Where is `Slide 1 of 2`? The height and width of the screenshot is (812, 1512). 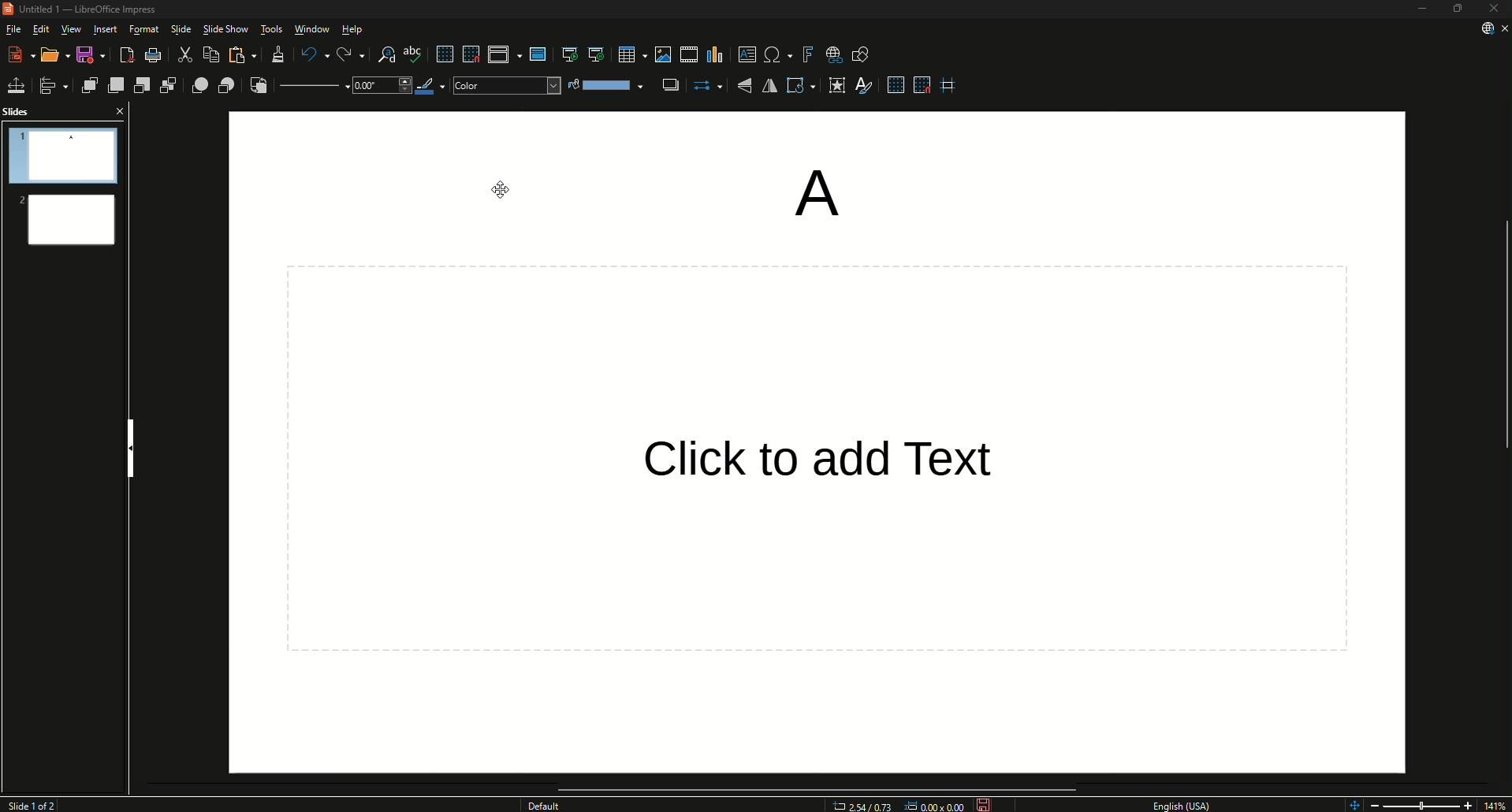 Slide 1 of 2 is located at coordinates (40, 805).